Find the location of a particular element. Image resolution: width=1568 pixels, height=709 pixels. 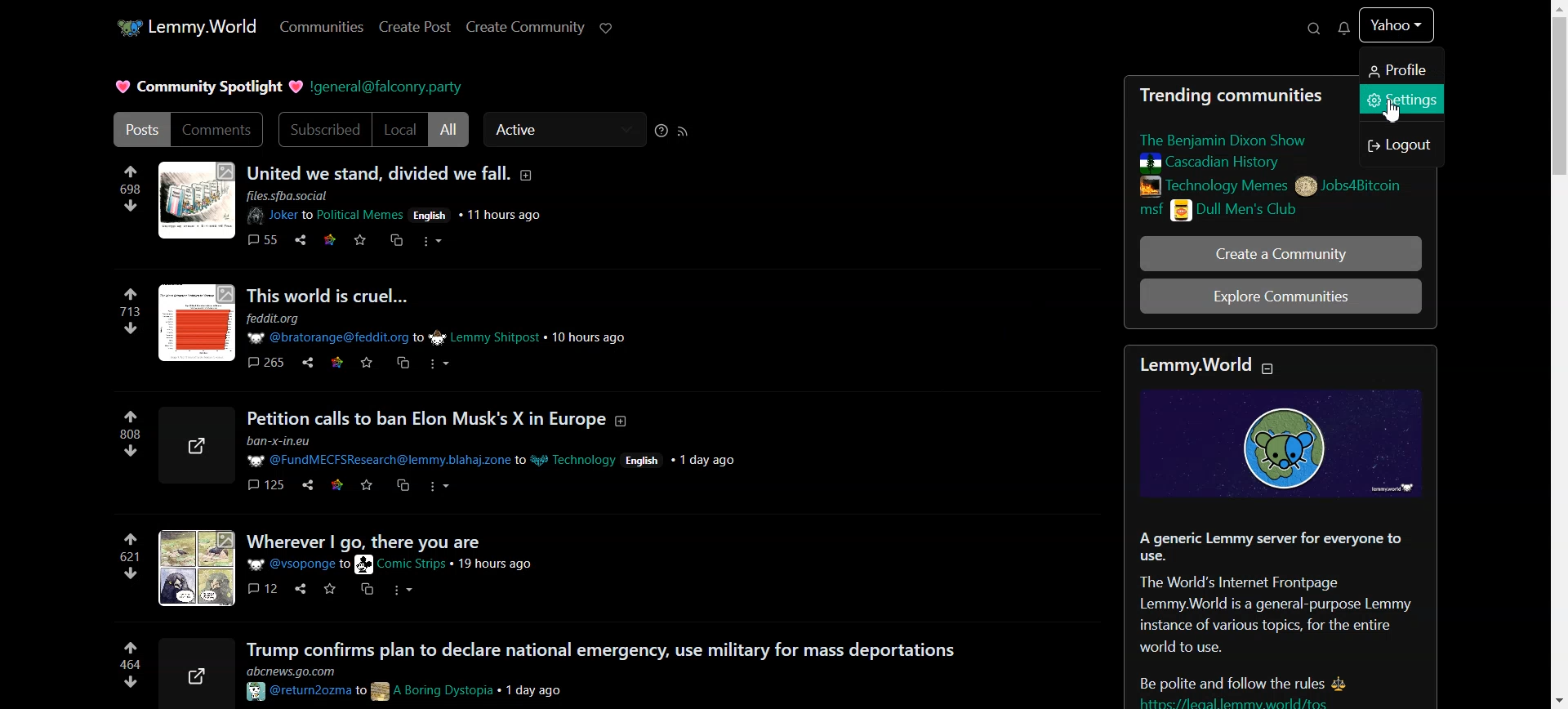

Hyperlink is located at coordinates (390, 88).